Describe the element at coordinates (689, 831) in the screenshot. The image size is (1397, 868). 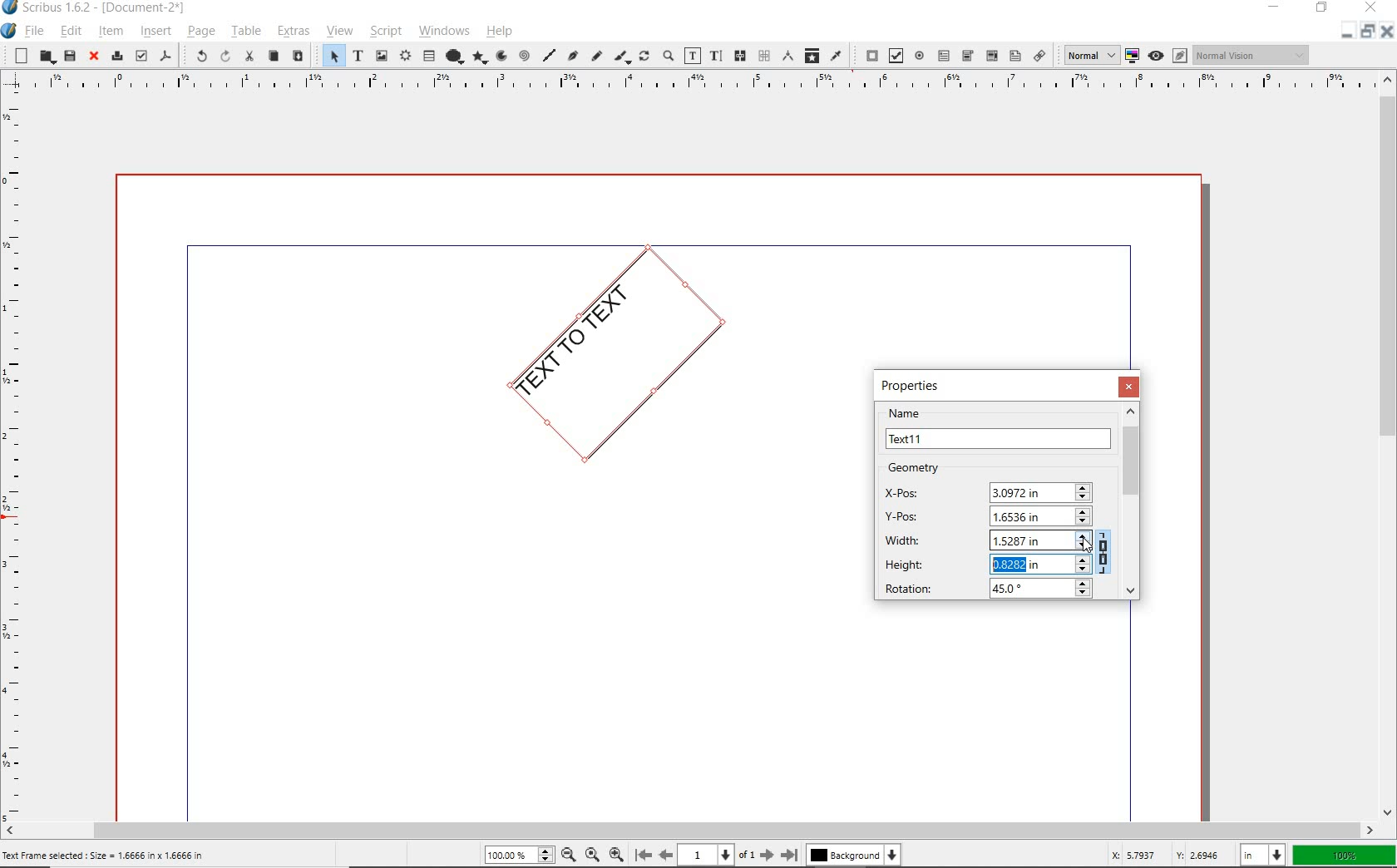
I see `scrollbar` at that location.